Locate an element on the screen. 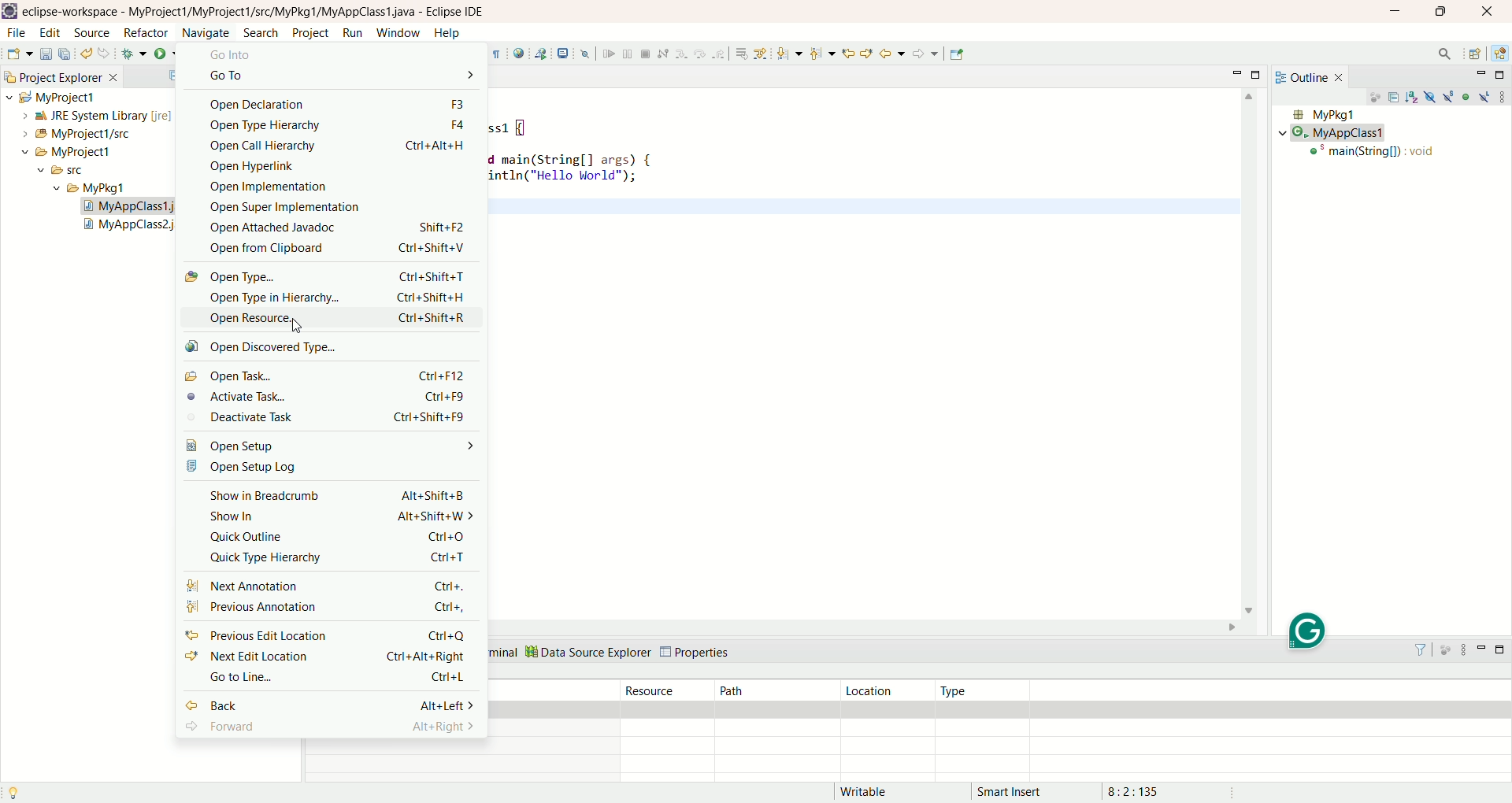  view menu is located at coordinates (1502, 96).